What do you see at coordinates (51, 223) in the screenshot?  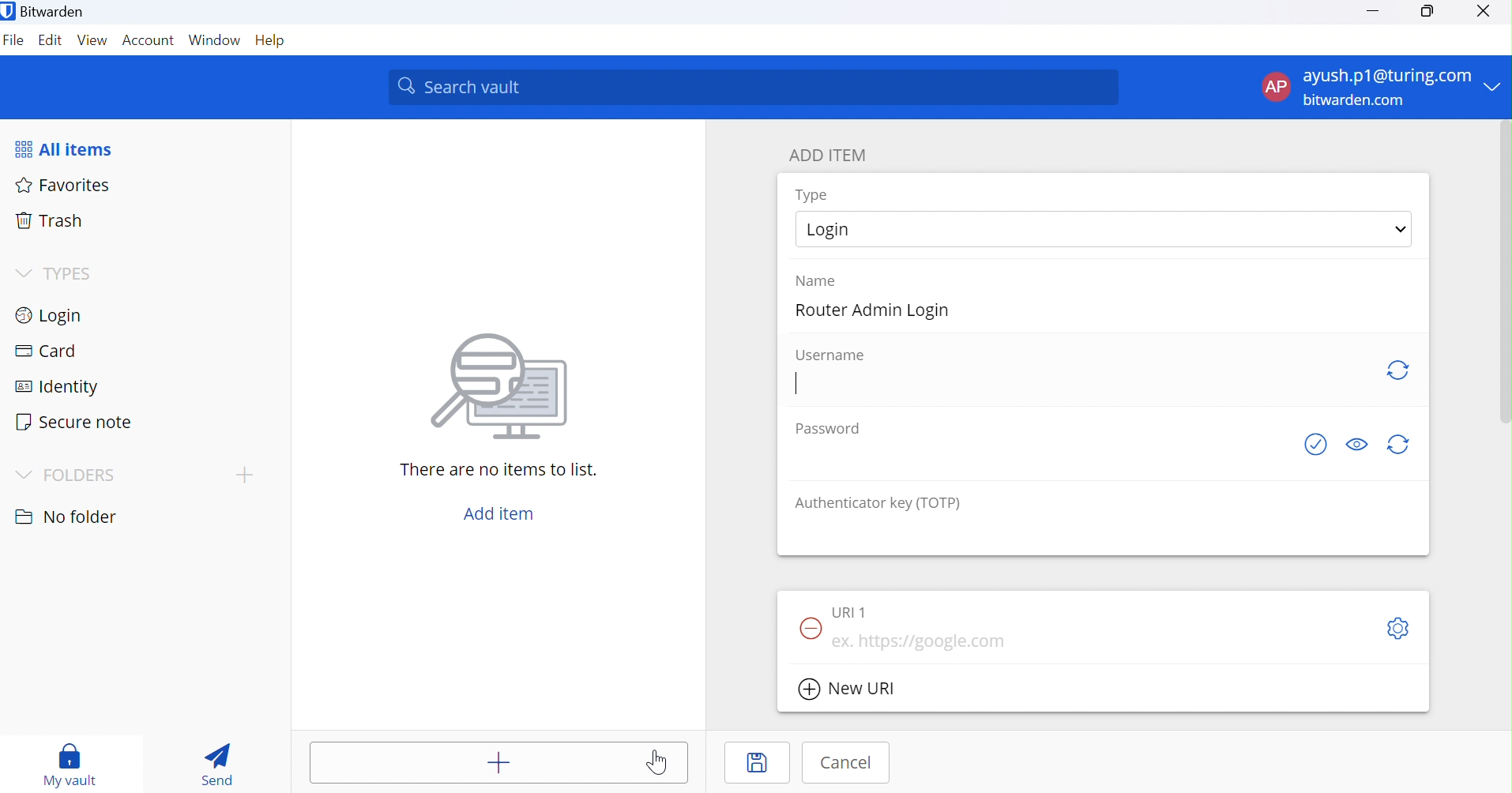 I see `Trash` at bounding box center [51, 223].